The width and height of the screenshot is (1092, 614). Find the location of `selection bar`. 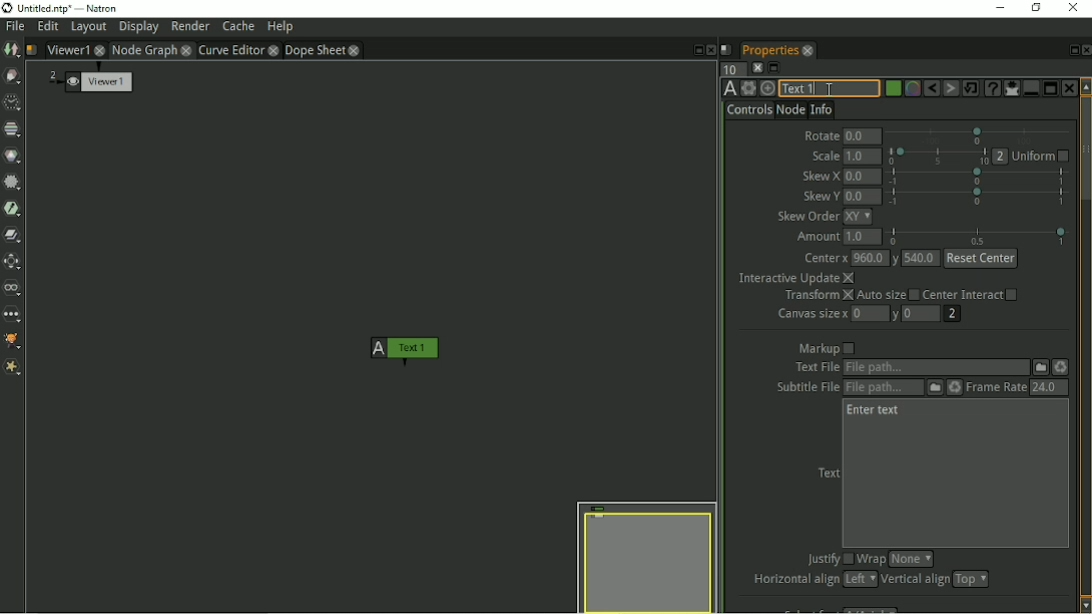

selection bar is located at coordinates (980, 235).